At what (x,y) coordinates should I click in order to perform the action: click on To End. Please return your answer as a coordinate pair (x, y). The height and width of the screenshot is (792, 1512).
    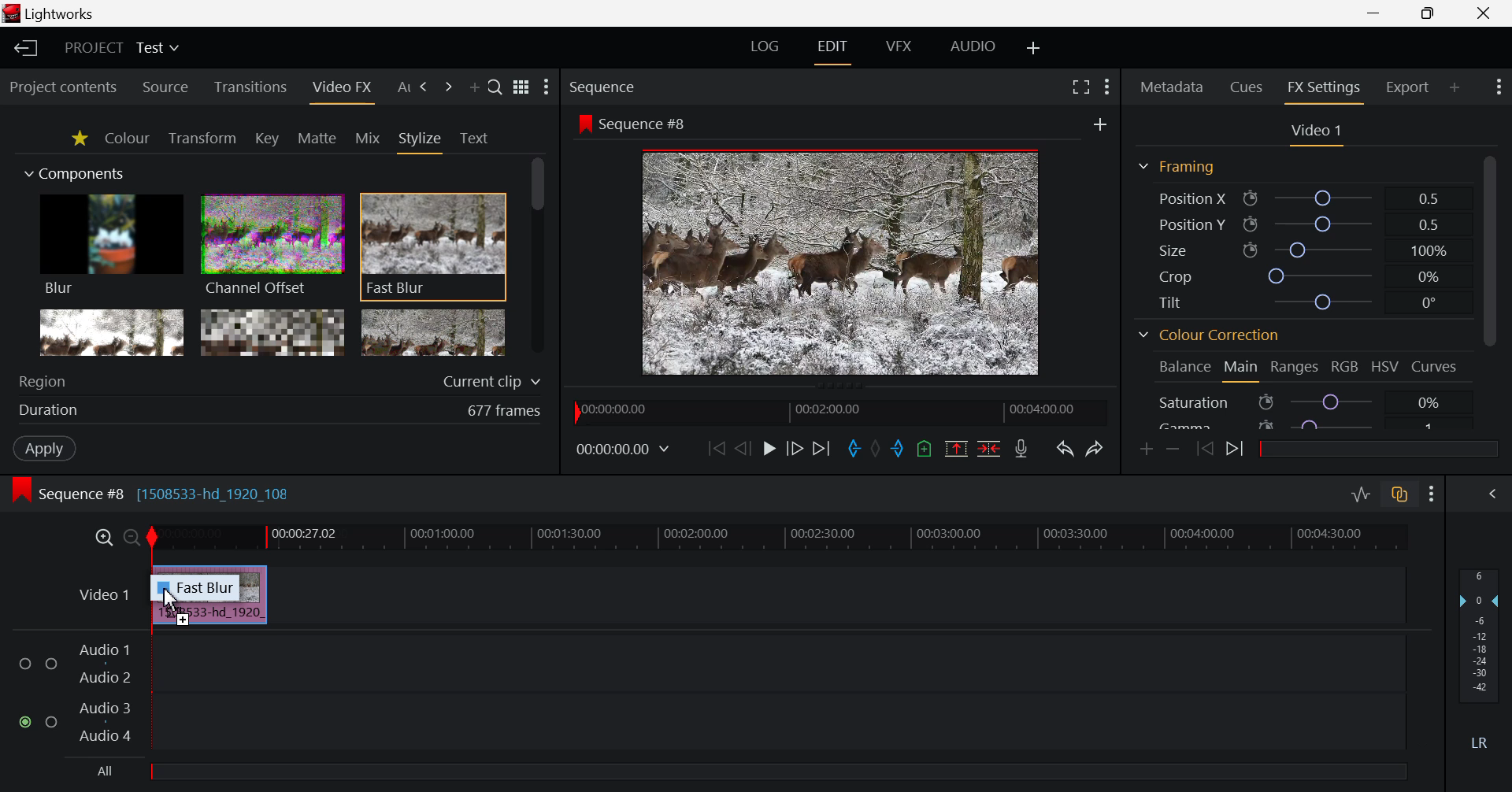
    Looking at the image, I should click on (823, 450).